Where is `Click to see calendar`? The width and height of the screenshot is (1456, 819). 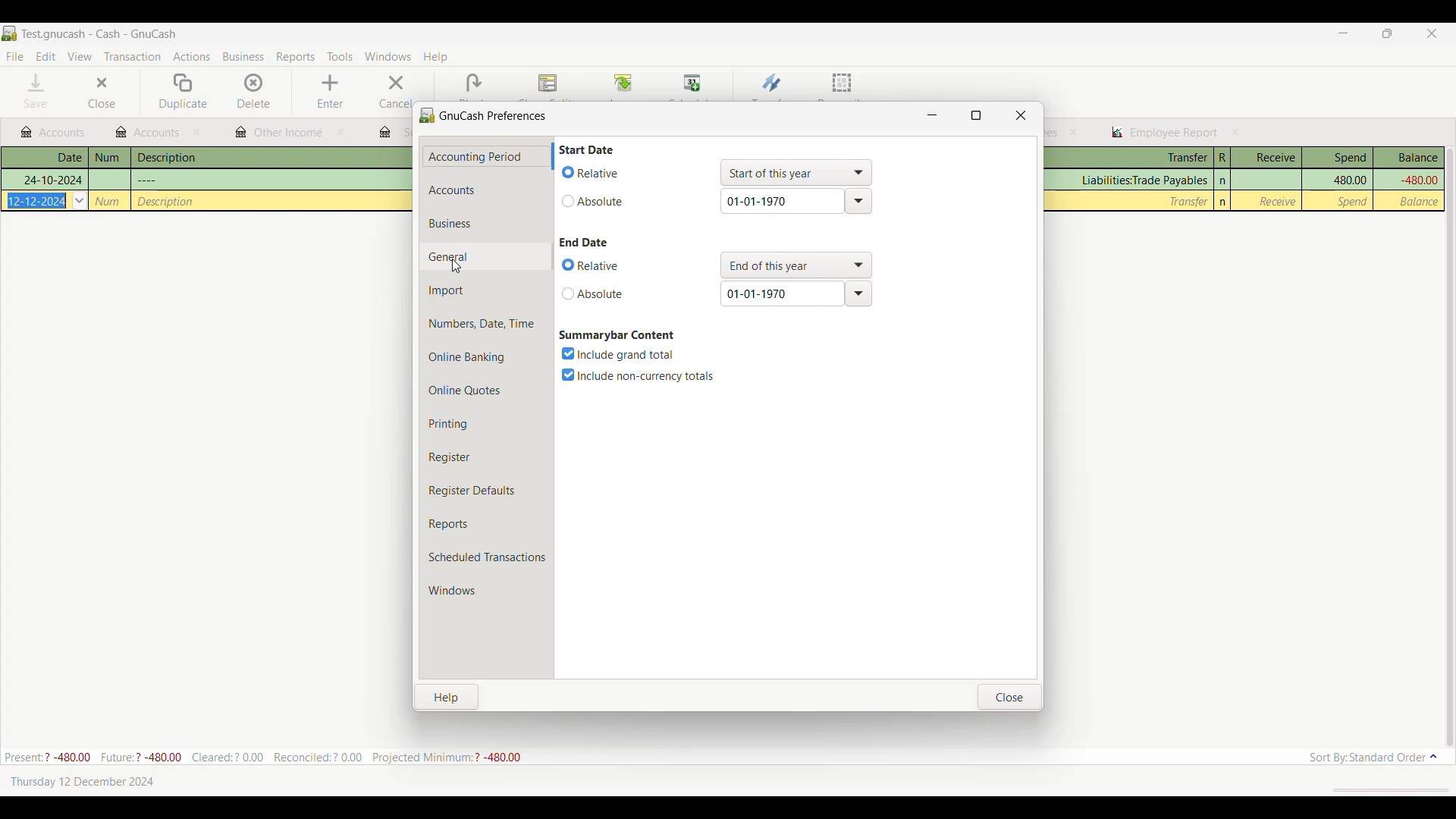
Click to see calendar is located at coordinates (858, 293).